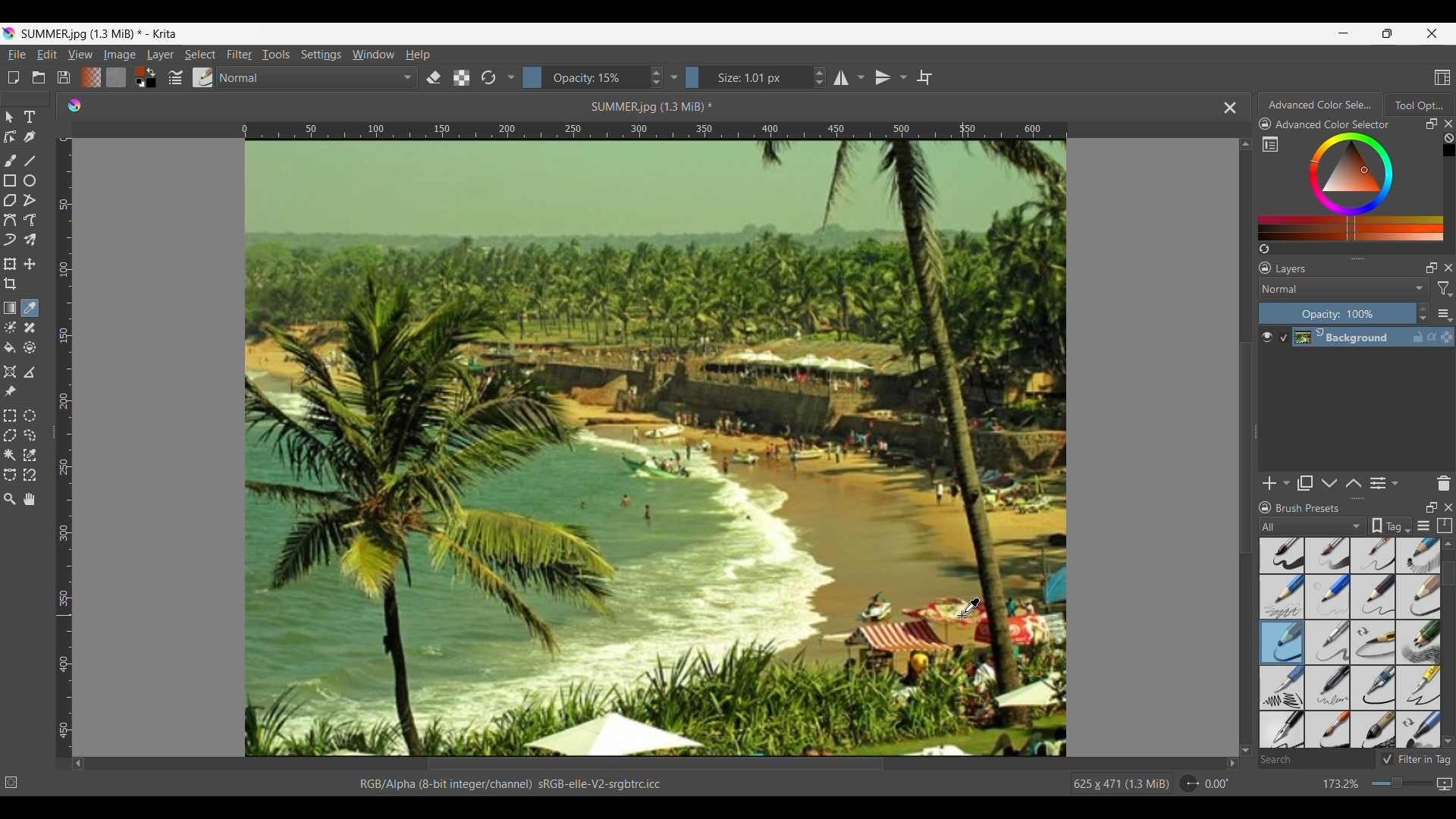 The image size is (1456, 819). Describe the element at coordinates (11, 783) in the screenshot. I see `No selection` at that location.